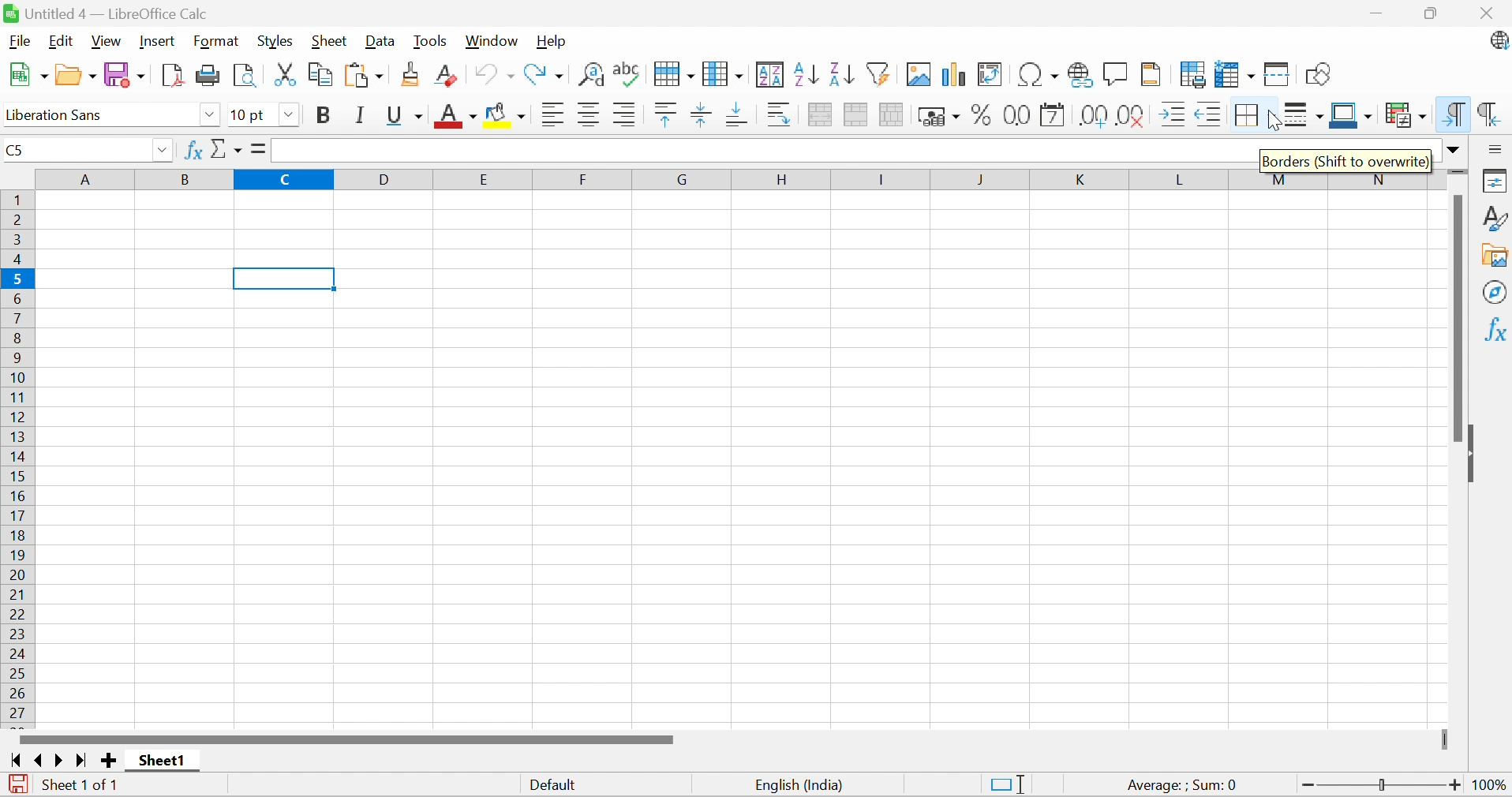 This screenshot has height=797, width=1512. What do you see at coordinates (412, 75) in the screenshot?
I see `Cone formatting` at bounding box center [412, 75].